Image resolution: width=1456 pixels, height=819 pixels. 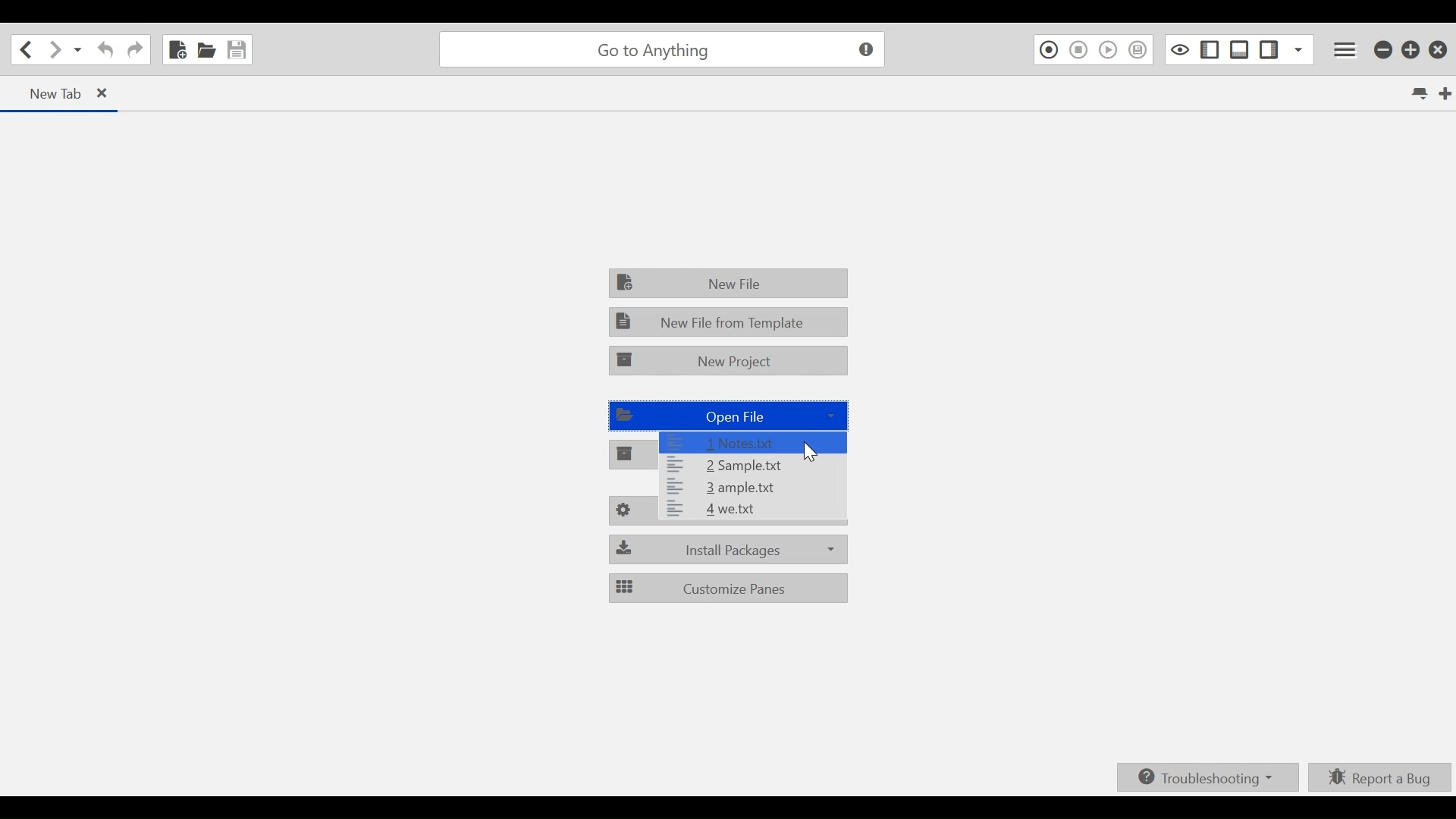 What do you see at coordinates (1139, 50) in the screenshot?
I see `Save Macro to Toolbox as Superscript` at bounding box center [1139, 50].